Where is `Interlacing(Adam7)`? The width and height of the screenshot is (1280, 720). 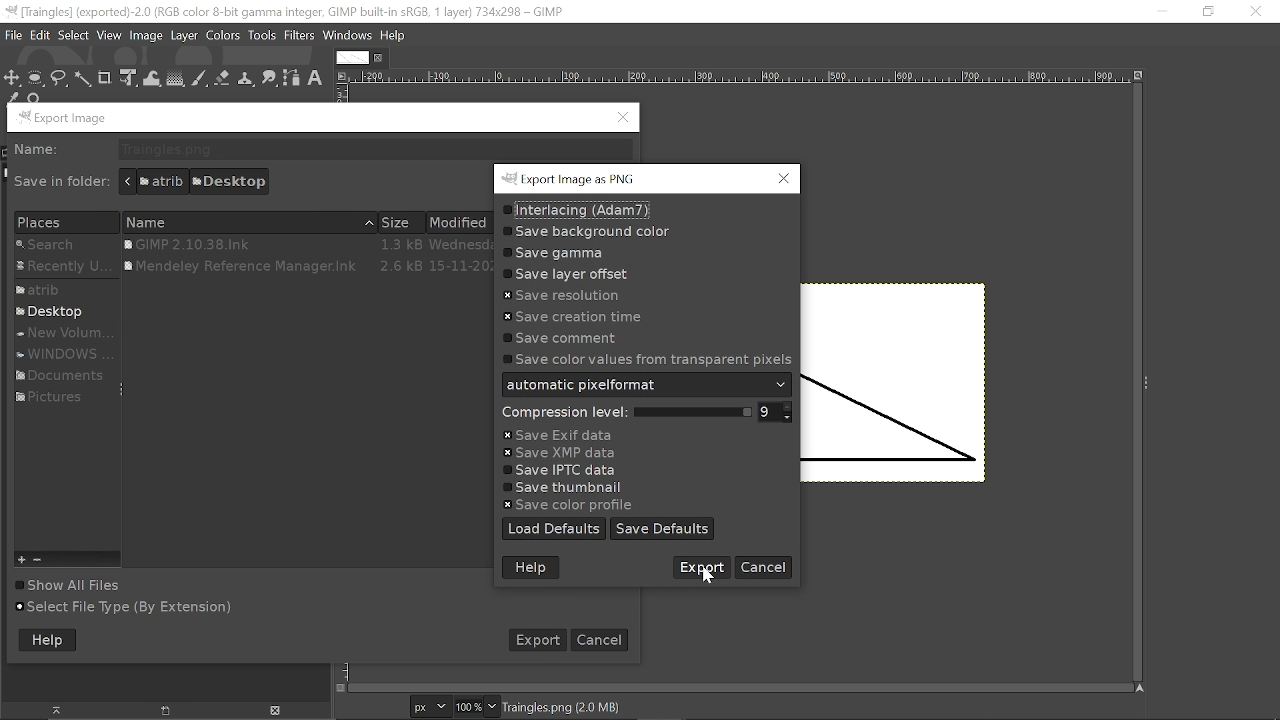
Interlacing(Adam7) is located at coordinates (575, 211).